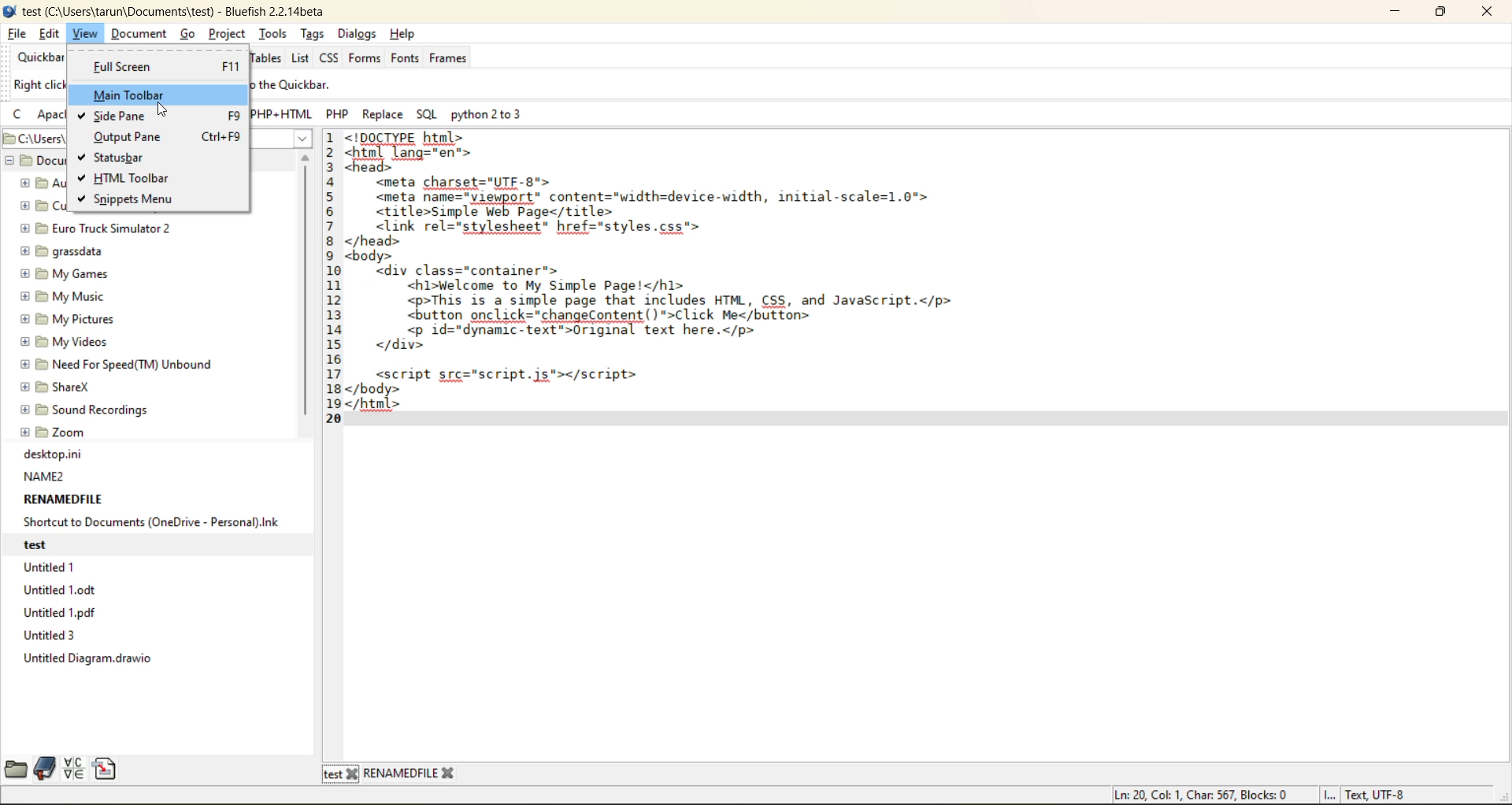 Image resolution: width=1512 pixels, height=805 pixels. Describe the element at coordinates (166, 112) in the screenshot. I see `cursor` at that location.